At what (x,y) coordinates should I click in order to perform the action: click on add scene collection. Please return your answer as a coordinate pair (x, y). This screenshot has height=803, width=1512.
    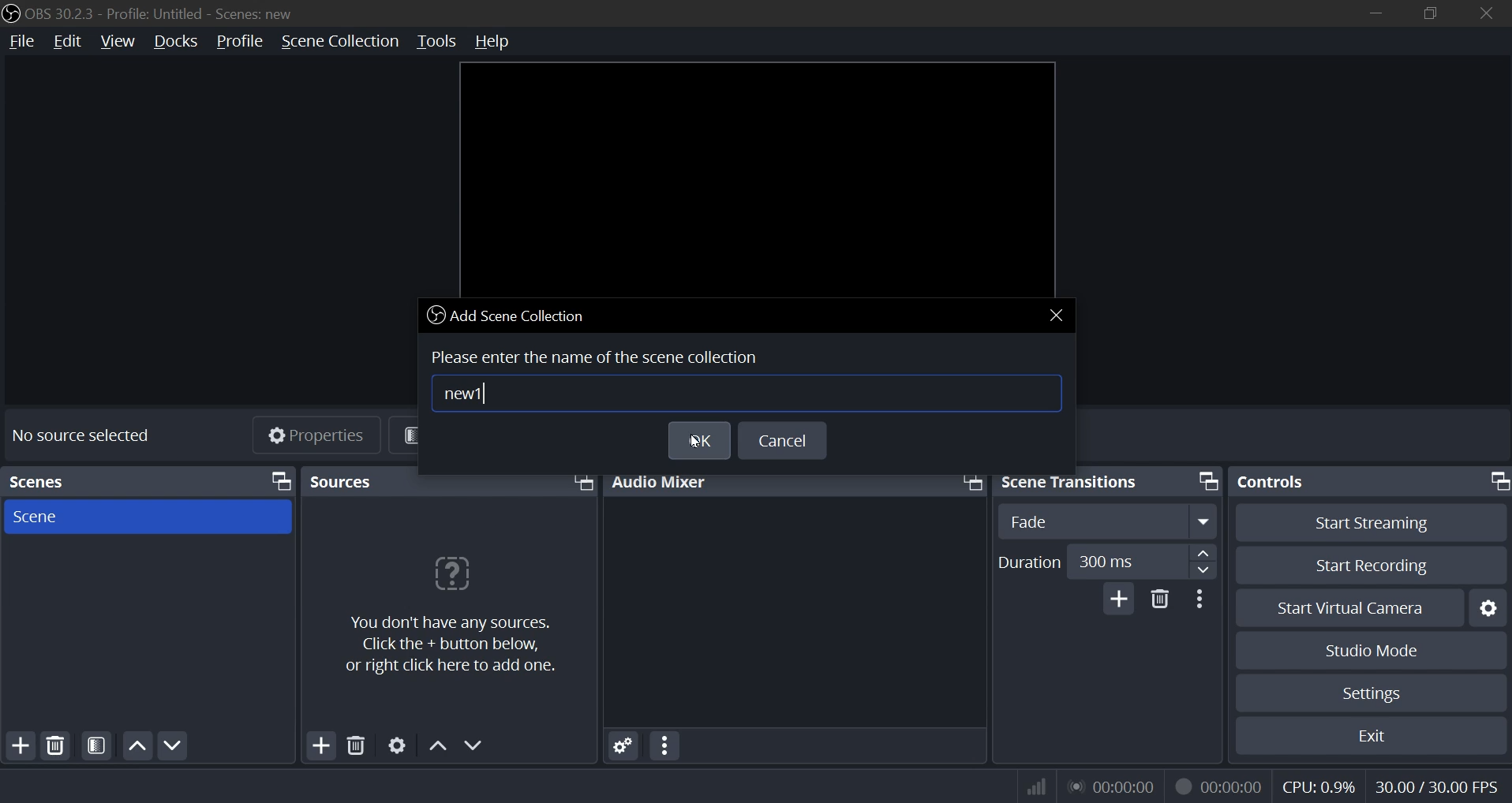
    Looking at the image, I should click on (510, 315).